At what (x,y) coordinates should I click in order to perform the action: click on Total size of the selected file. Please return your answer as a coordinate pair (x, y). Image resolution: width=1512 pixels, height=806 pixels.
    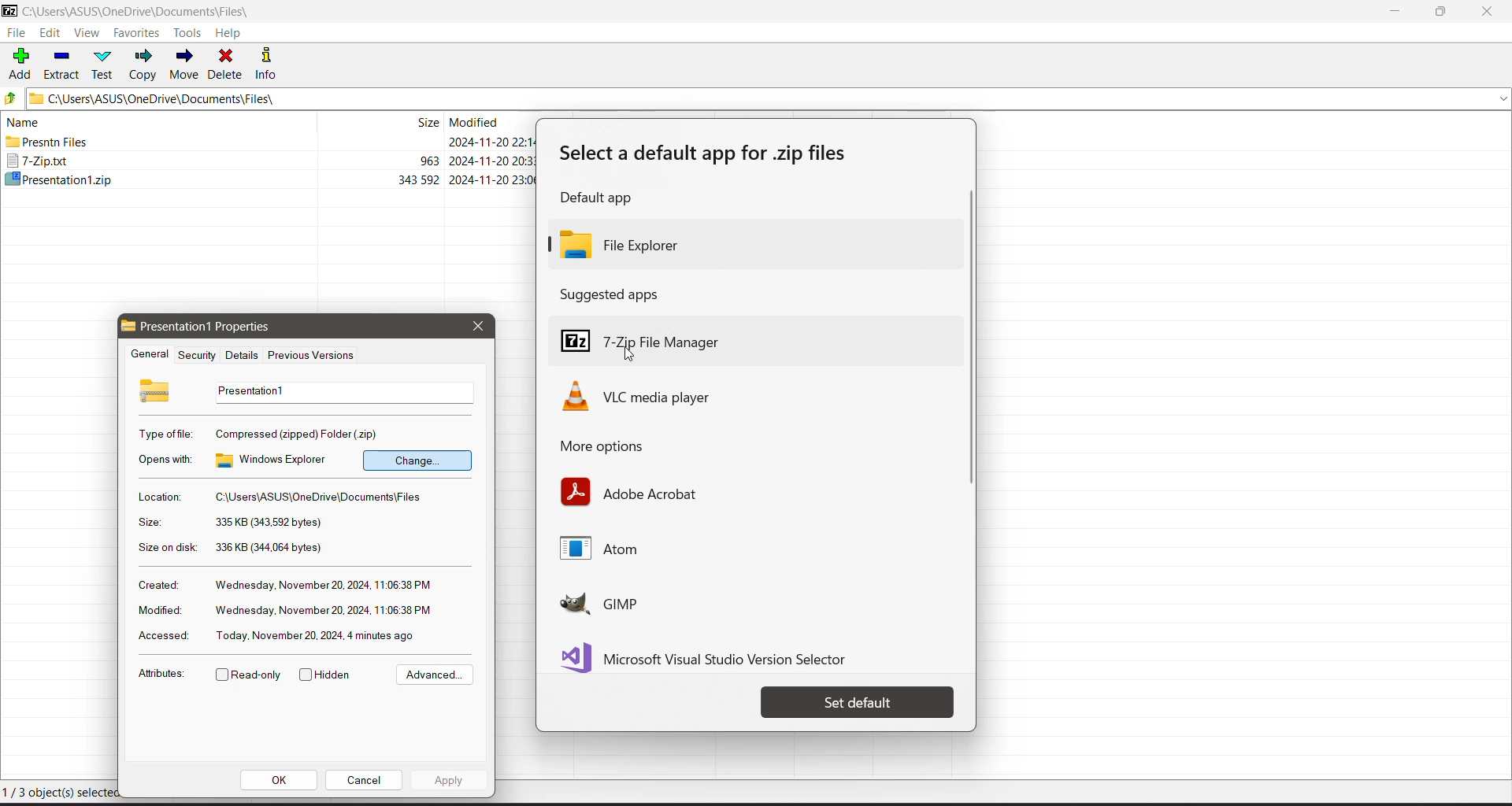
    Looking at the image, I should click on (270, 548).